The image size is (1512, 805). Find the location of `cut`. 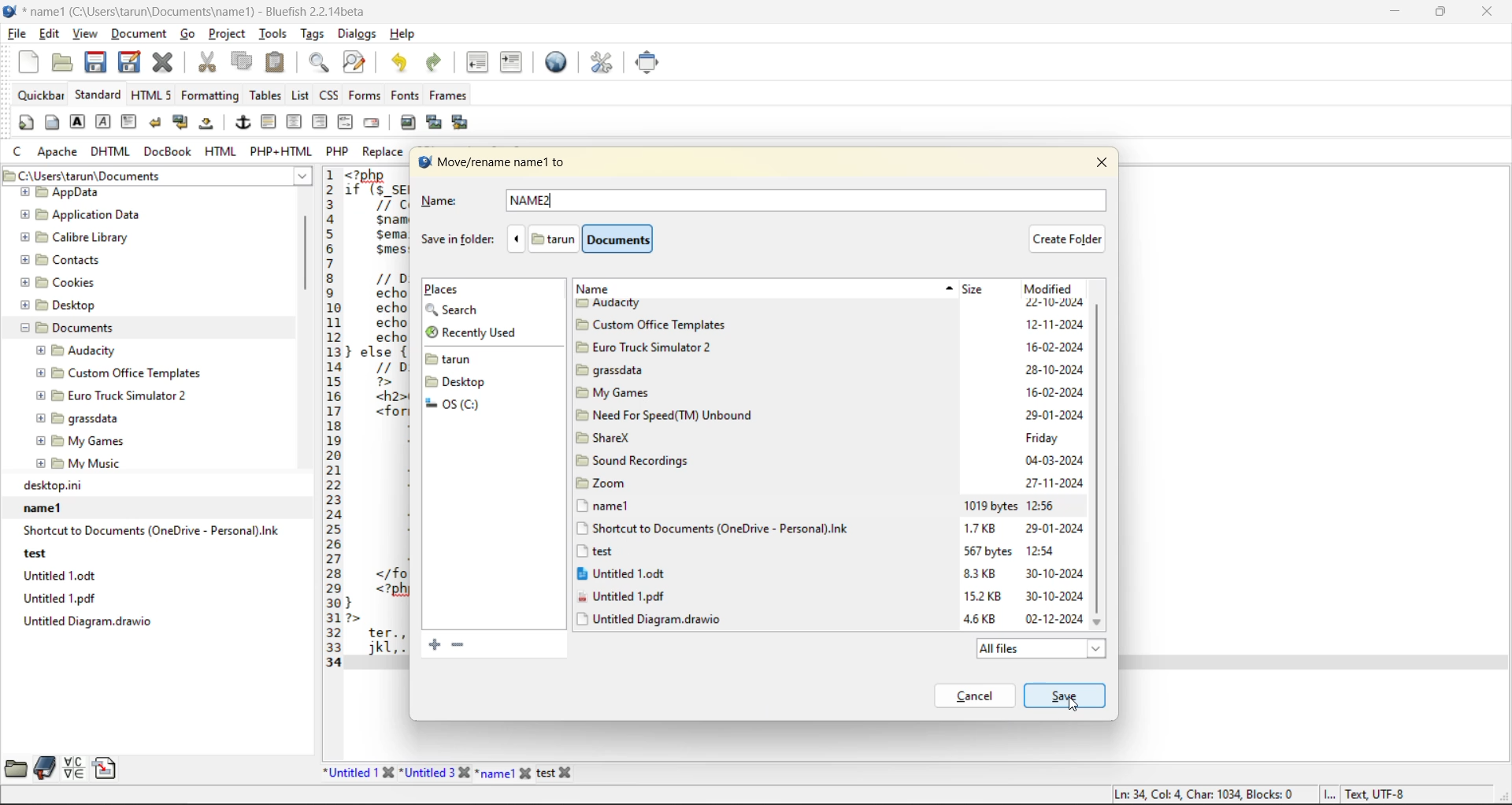

cut is located at coordinates (207, 62).